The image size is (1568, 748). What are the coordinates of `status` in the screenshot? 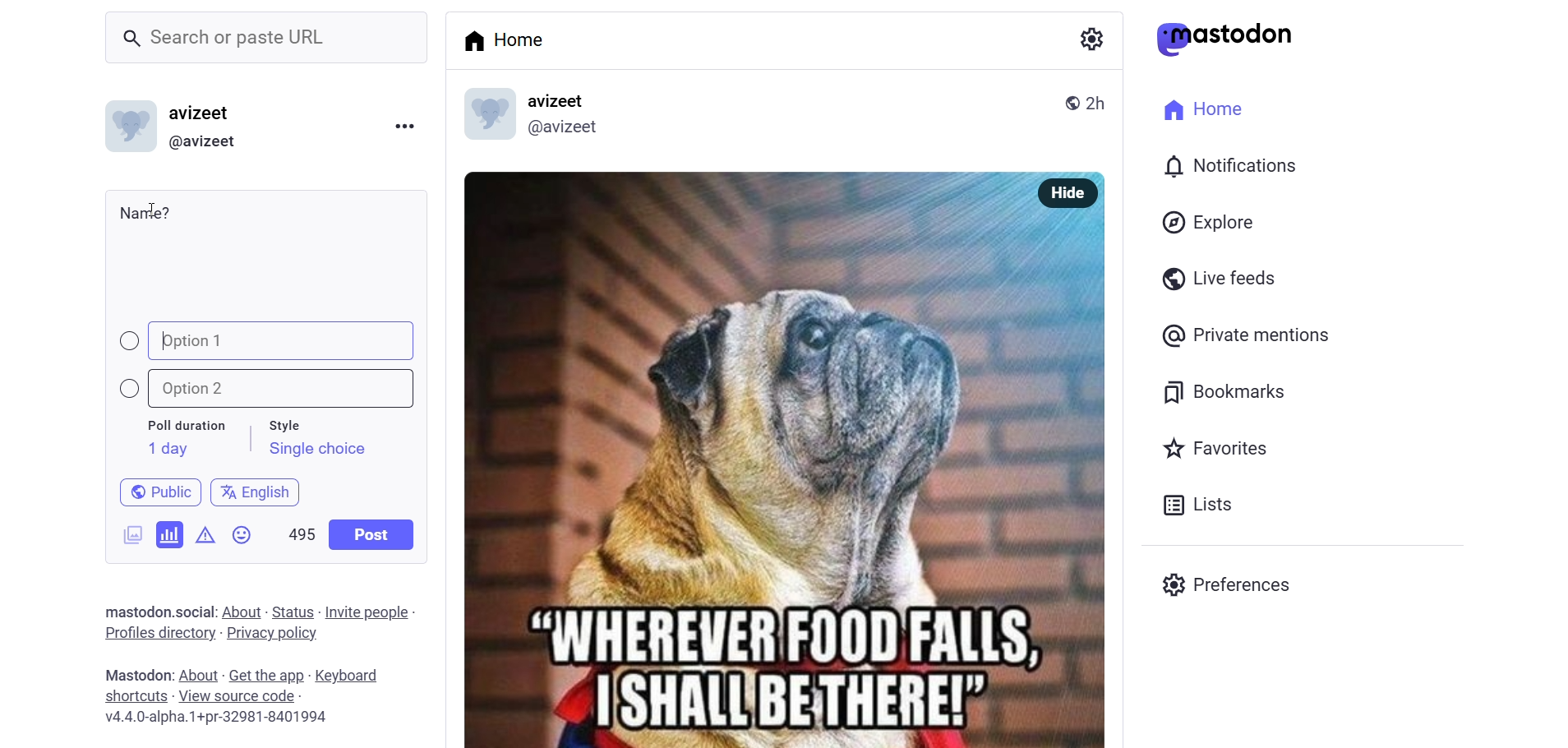 It's located at (293, 612).